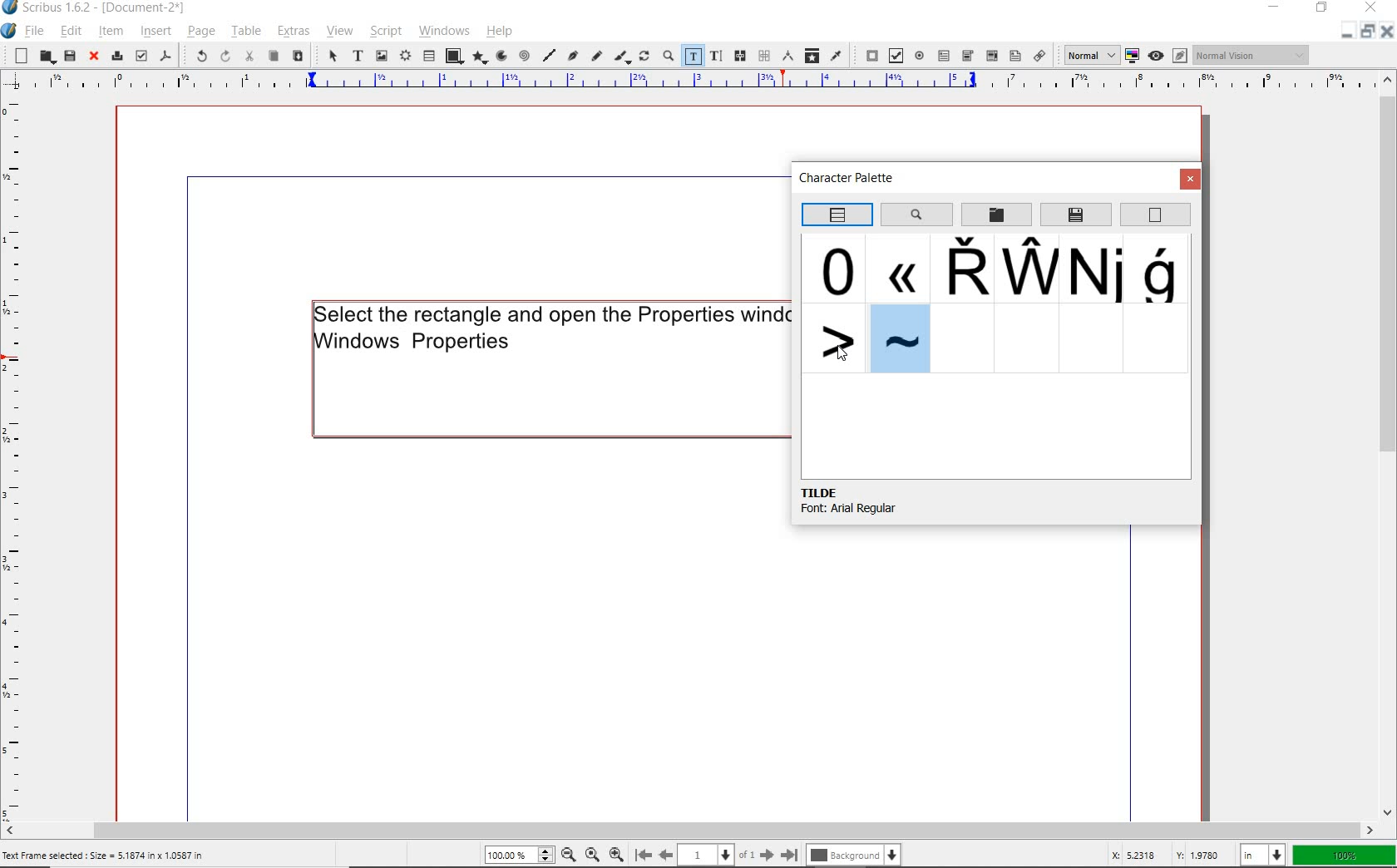 The image size is (1397, 868). I want to click on X 22675 Y: 18314, so click(1165, 852).